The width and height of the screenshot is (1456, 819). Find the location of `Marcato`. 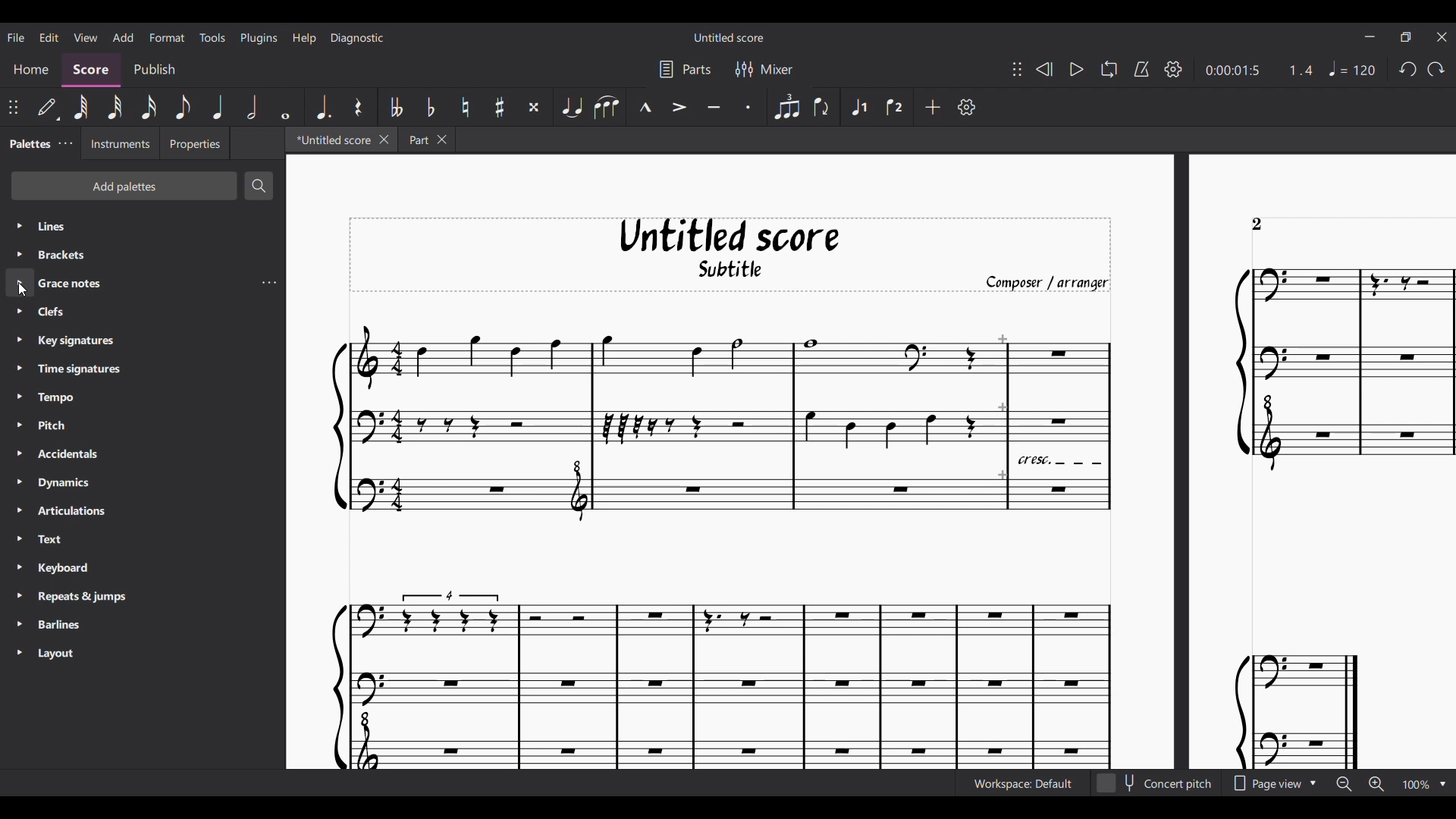

Marcato is located at coordinates (644, 107).